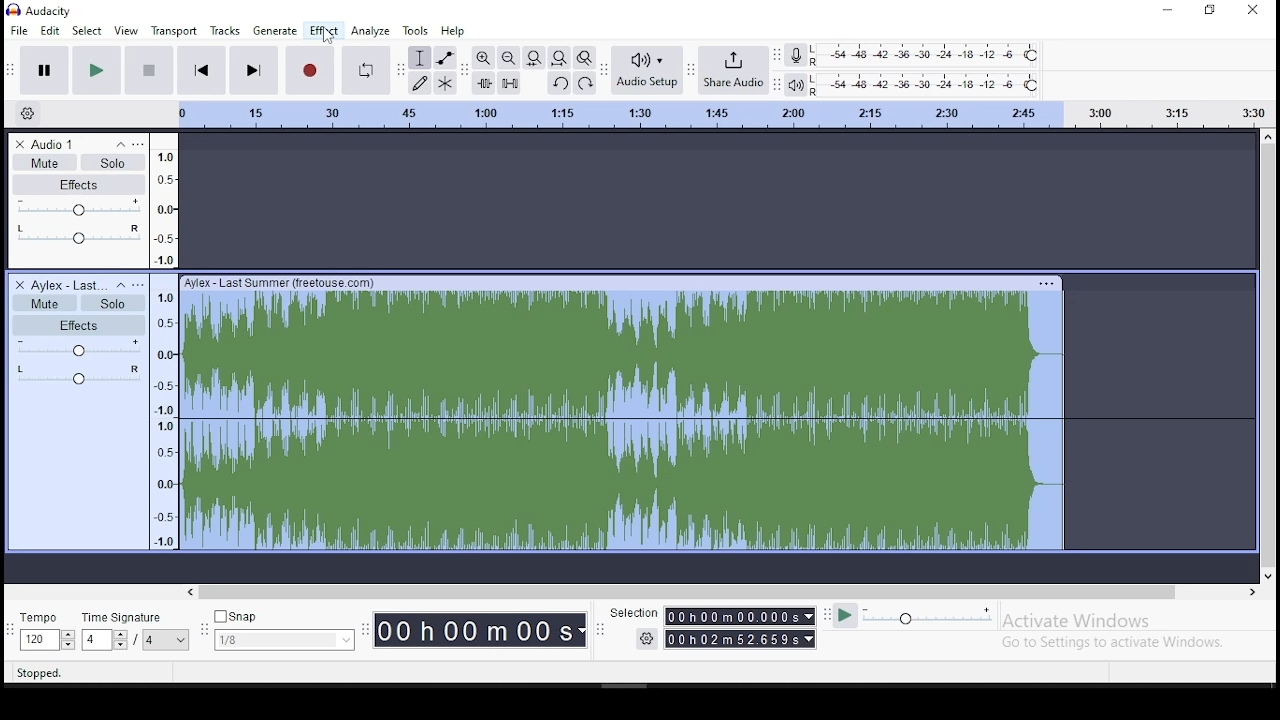 Image resolution: width=1280 pixels, height=720 pixels. I want to click on zoom out, so click(508, 58).